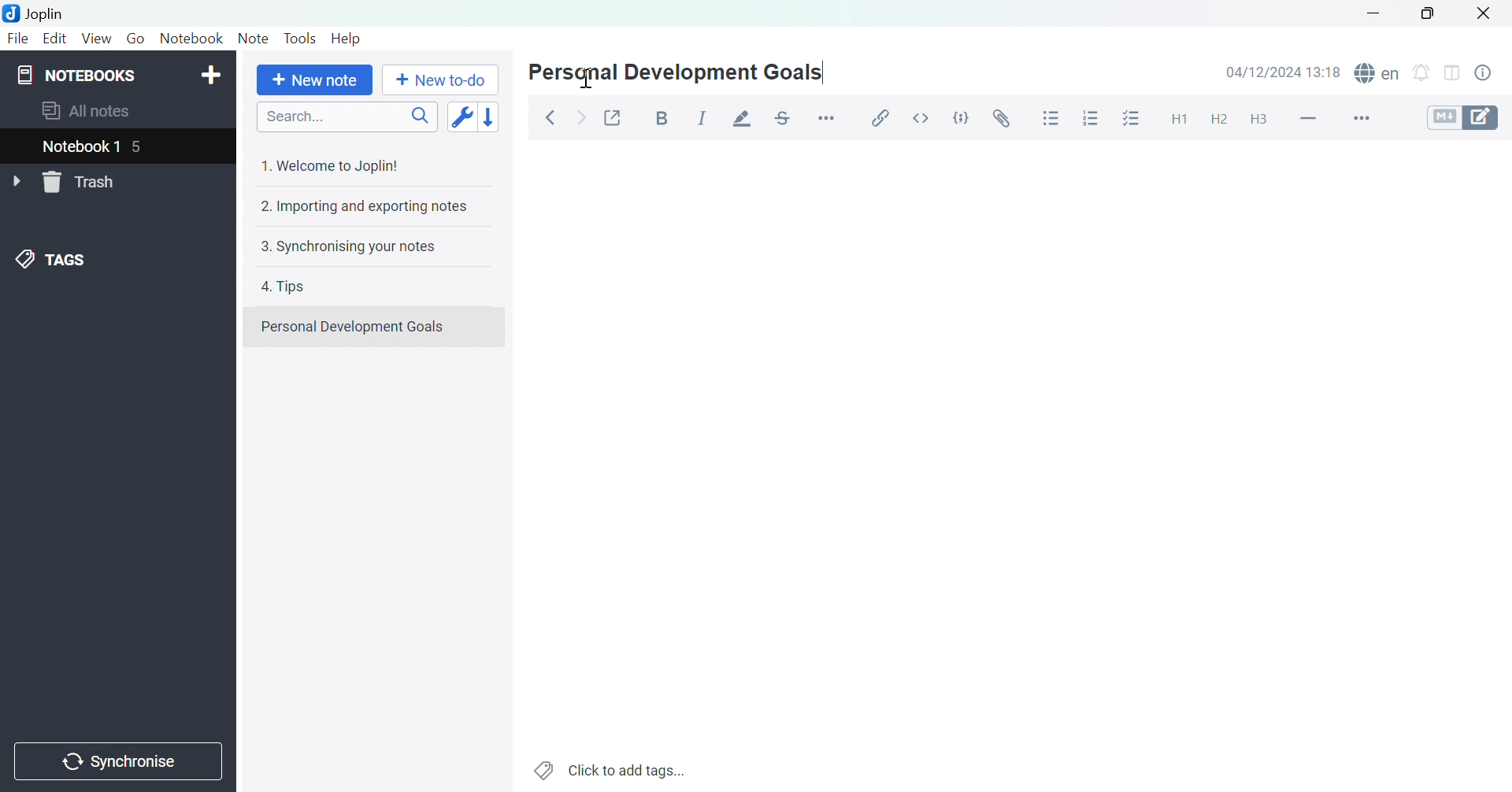  I want to click on Bold, so click(661, 119).